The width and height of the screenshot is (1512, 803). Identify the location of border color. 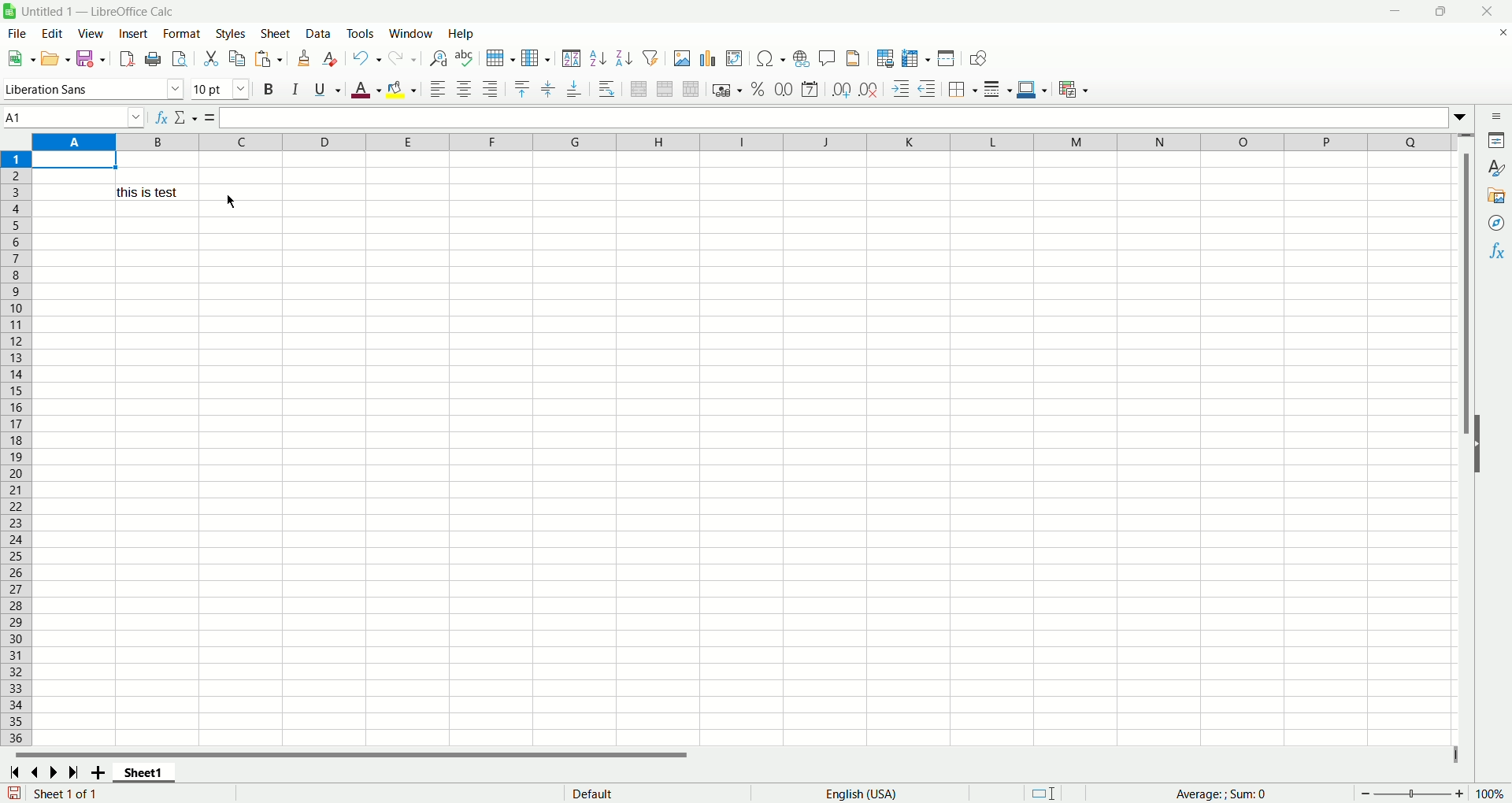
(1031, 87).